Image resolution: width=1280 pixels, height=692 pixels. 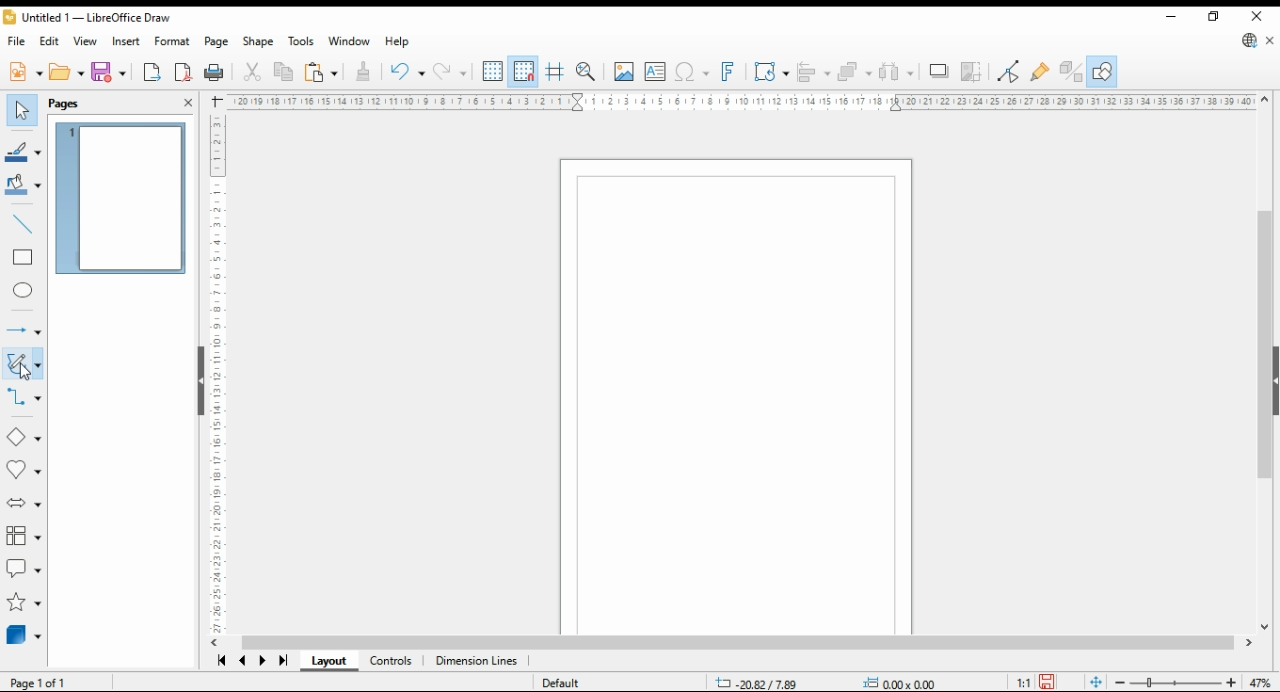 What do you see at coordinates (1009, 72) in the screenshot?
I see `toggle endpoint edit mode` at bounding box center [1009, 72].